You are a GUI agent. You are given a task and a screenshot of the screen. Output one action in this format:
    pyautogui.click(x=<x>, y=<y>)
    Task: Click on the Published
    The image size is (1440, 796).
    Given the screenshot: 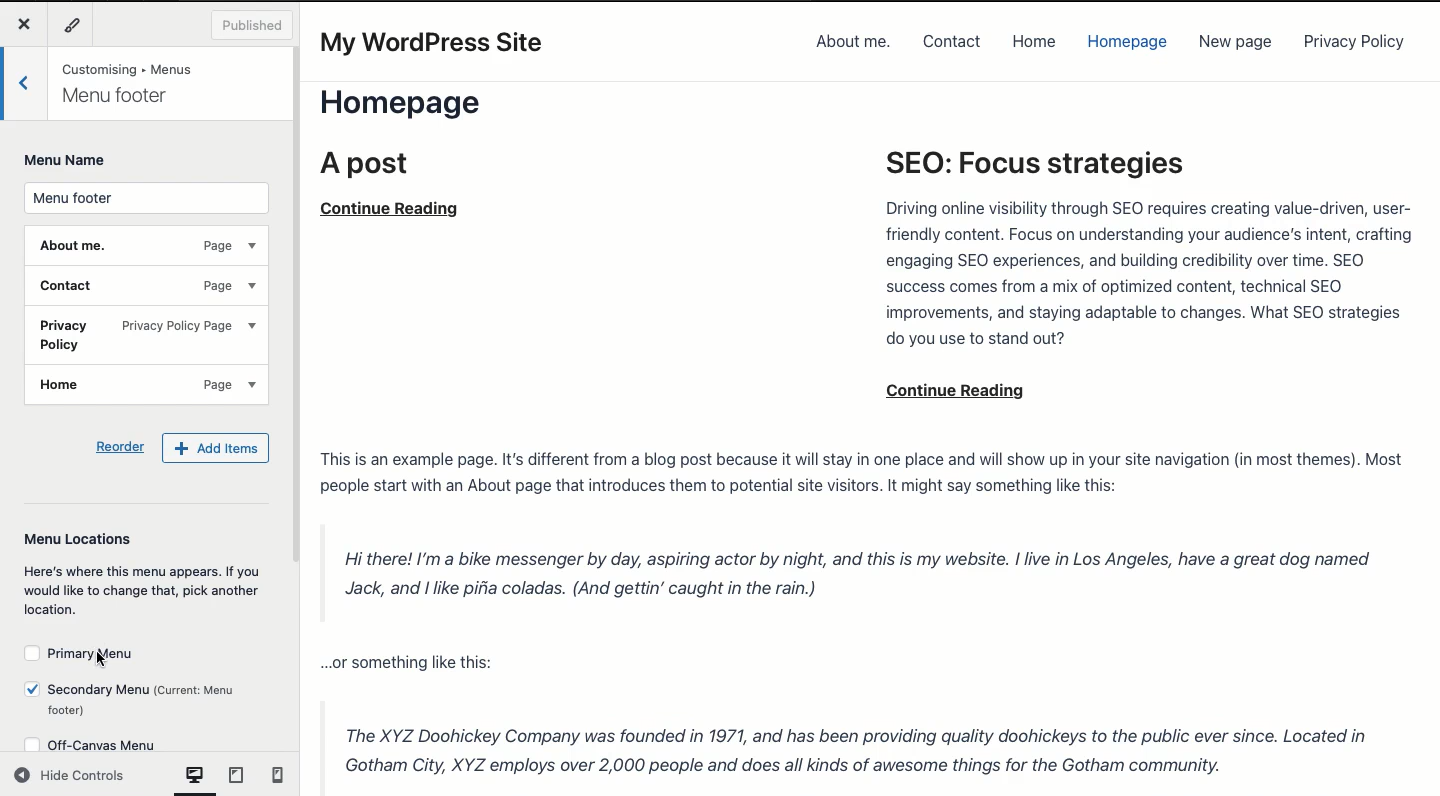 What is the action you would take?
    pyautogui.click(x=254, y=26)
    